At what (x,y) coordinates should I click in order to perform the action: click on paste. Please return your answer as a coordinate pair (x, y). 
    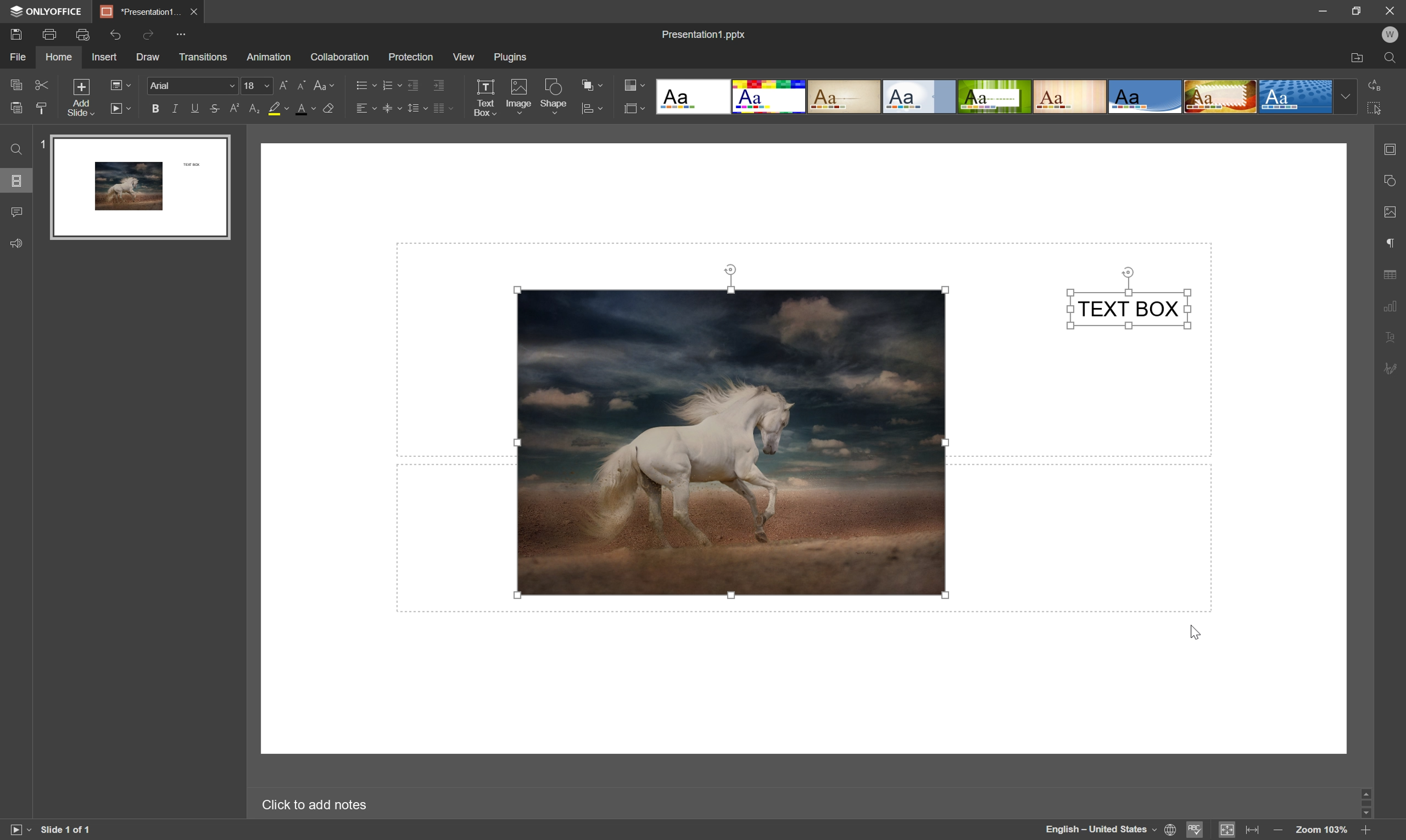
    Looking at the image, I should click on (16, 108).